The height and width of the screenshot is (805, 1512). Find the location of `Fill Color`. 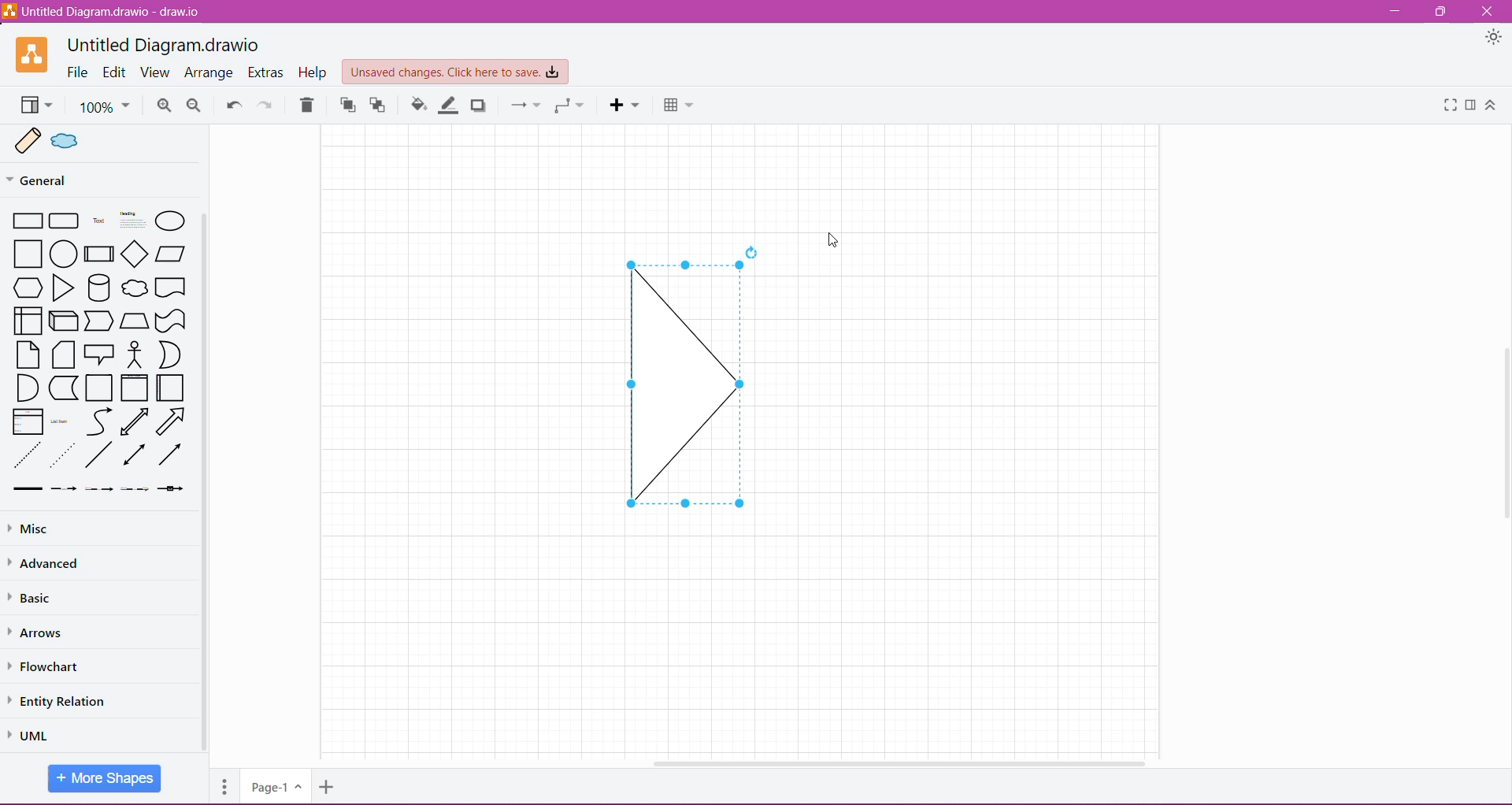

Fill Color is located at coordinates (416, 106).